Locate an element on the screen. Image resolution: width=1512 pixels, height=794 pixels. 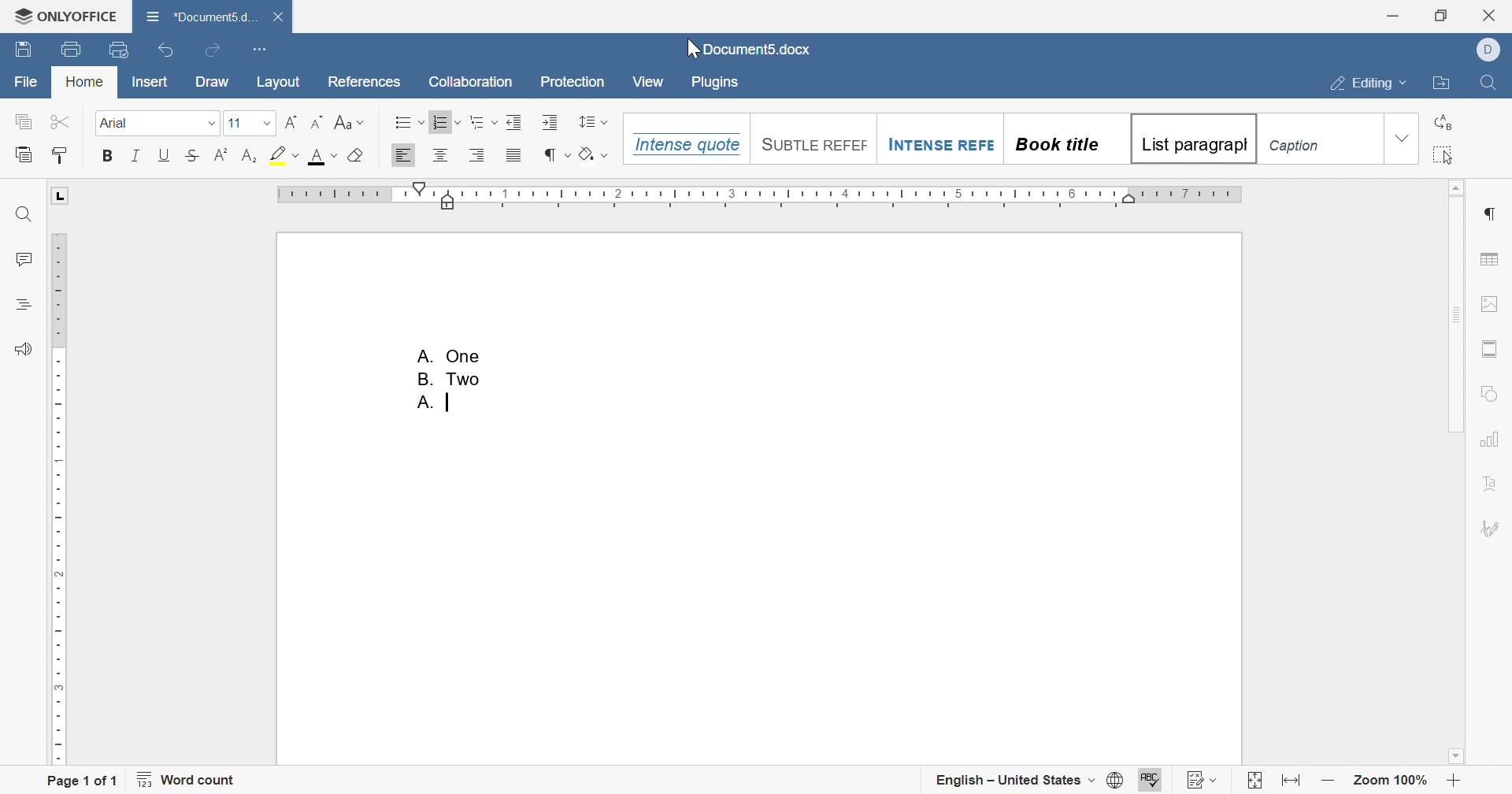
cursor is located at coordinates (692, 47).